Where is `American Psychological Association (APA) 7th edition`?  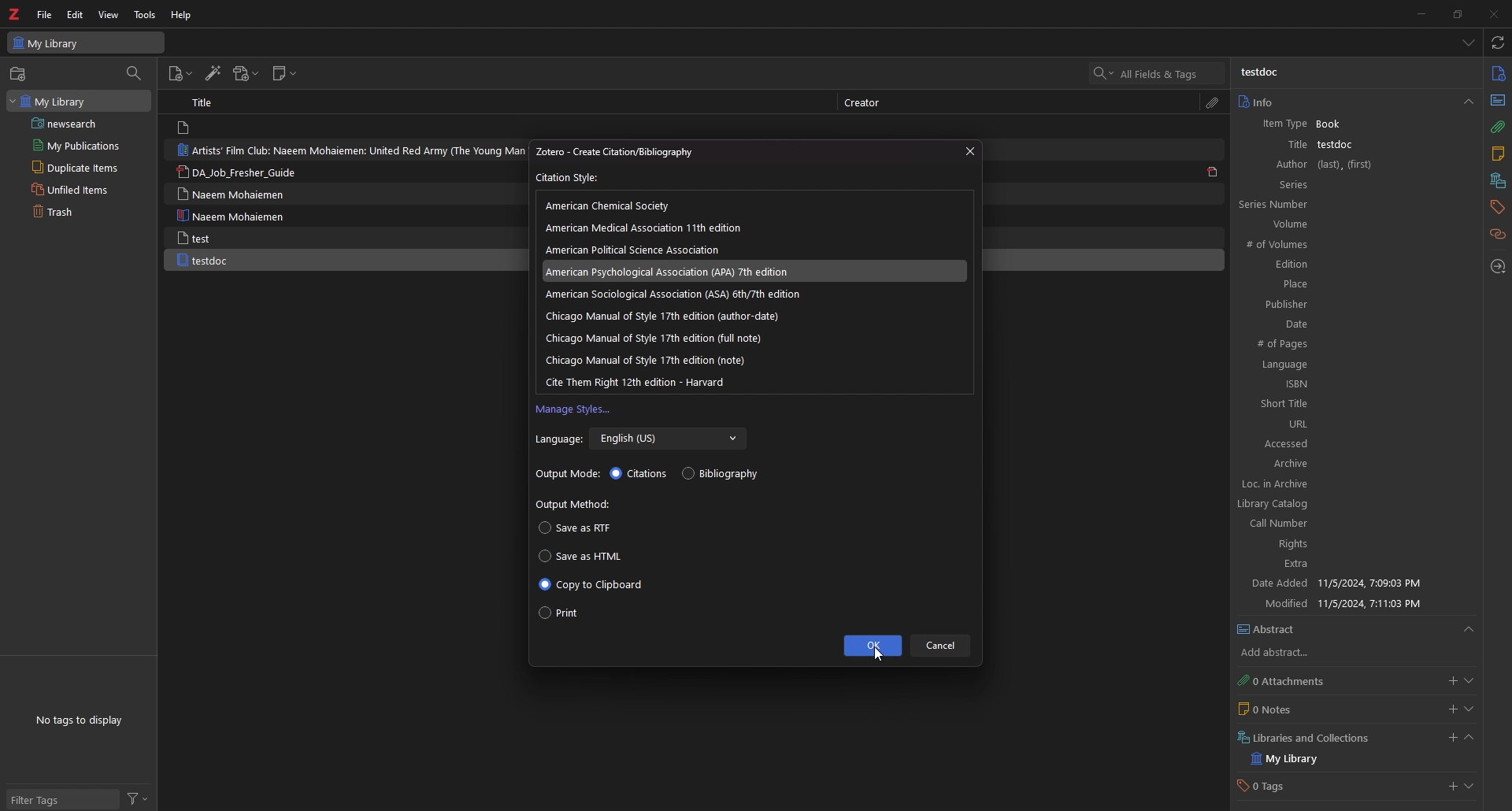 American Psychological Association (APA) 7th edition is located at coordinates (680, 271).